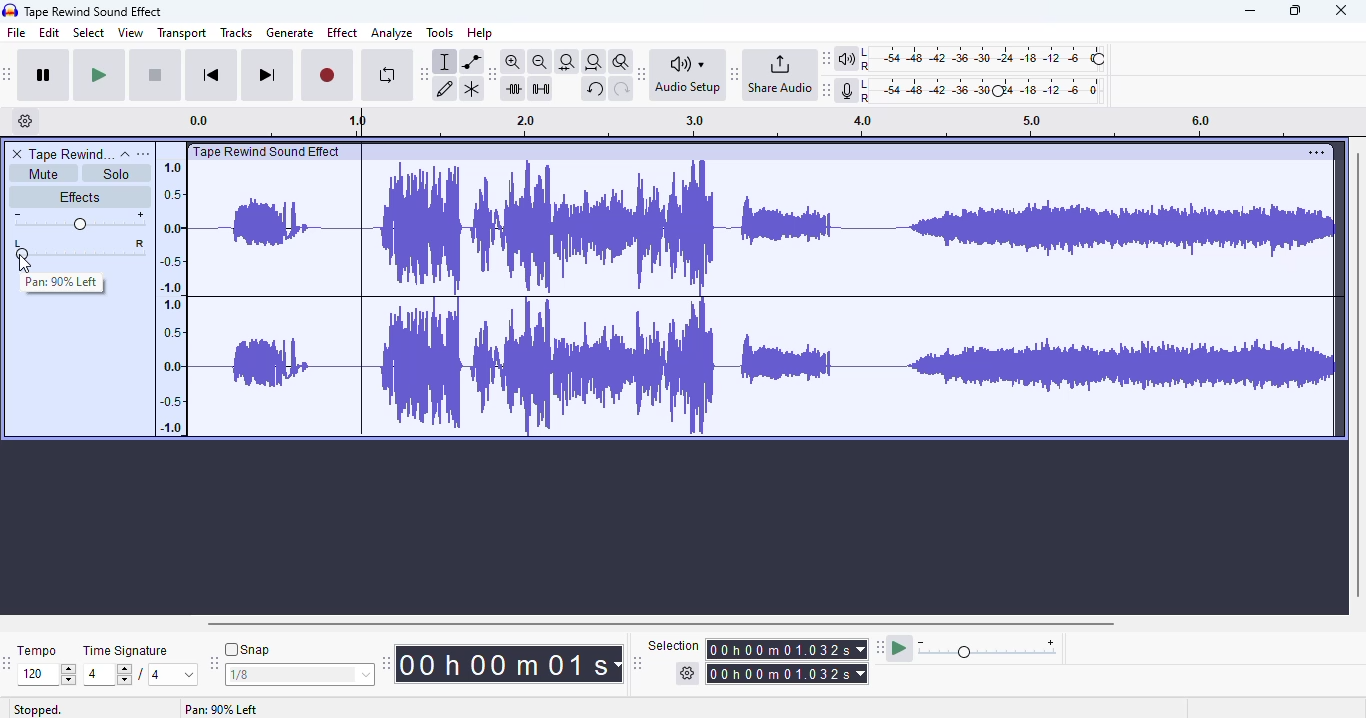 The width and height of the screenshot is (1366, 718). Describe the element at coordinates (594, 89) in the screenshot. I see `undo` at that location.